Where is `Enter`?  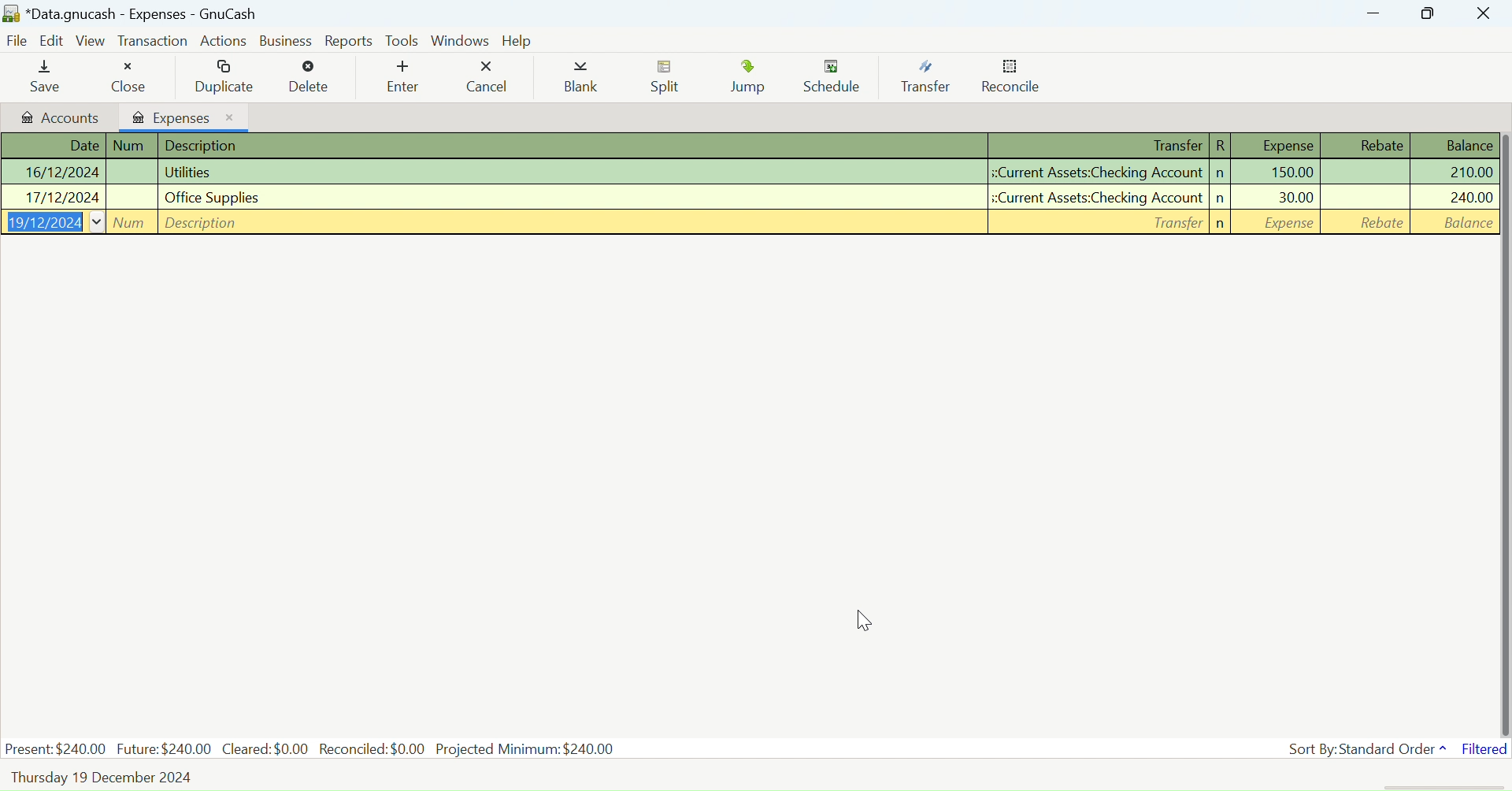
Enter is located at coordinates (401, 79).